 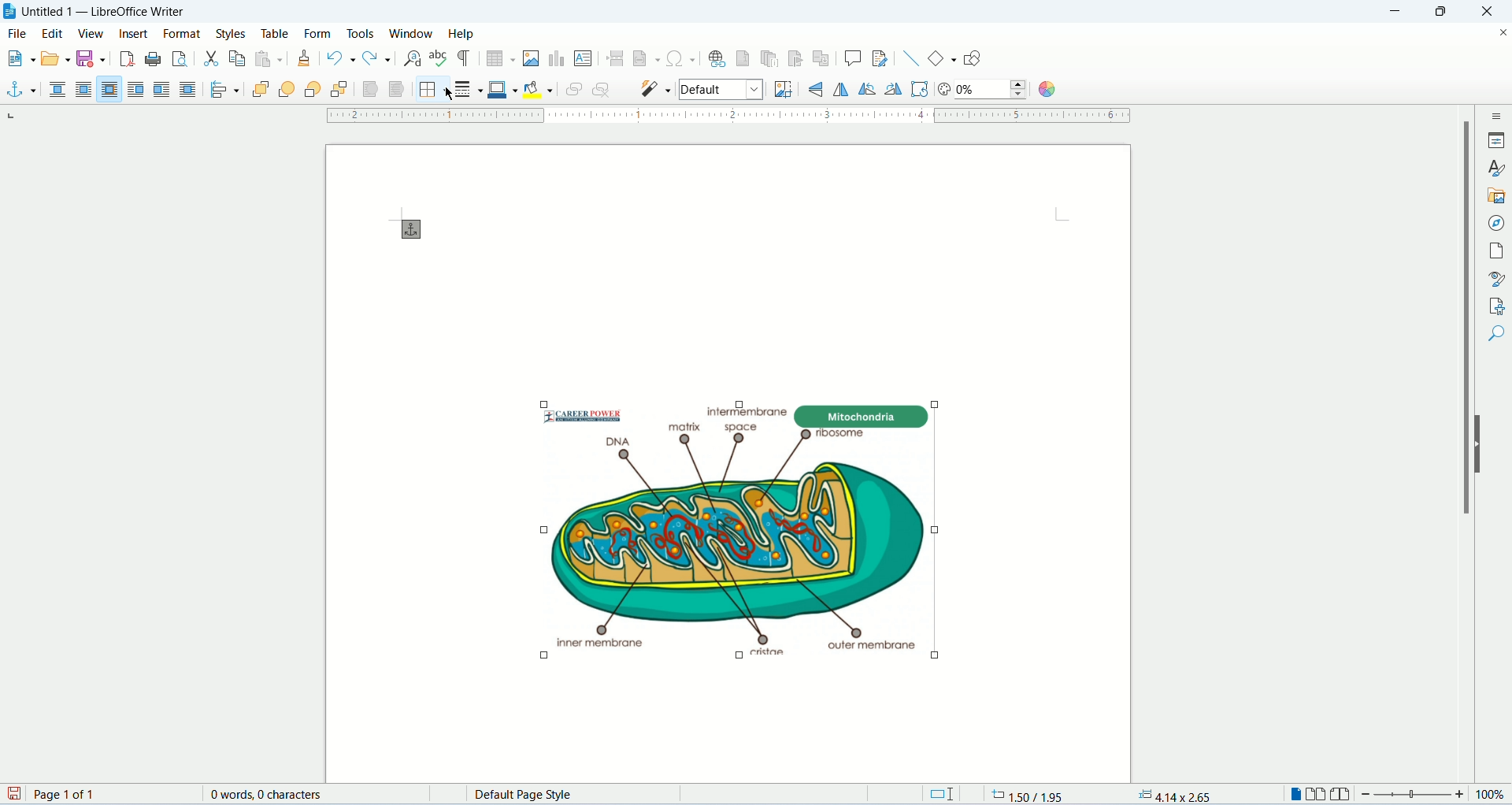 What do you see at coordinates (466, 59) in the screenshot?
I see `formatting marks` at bounding box center [466, 59].